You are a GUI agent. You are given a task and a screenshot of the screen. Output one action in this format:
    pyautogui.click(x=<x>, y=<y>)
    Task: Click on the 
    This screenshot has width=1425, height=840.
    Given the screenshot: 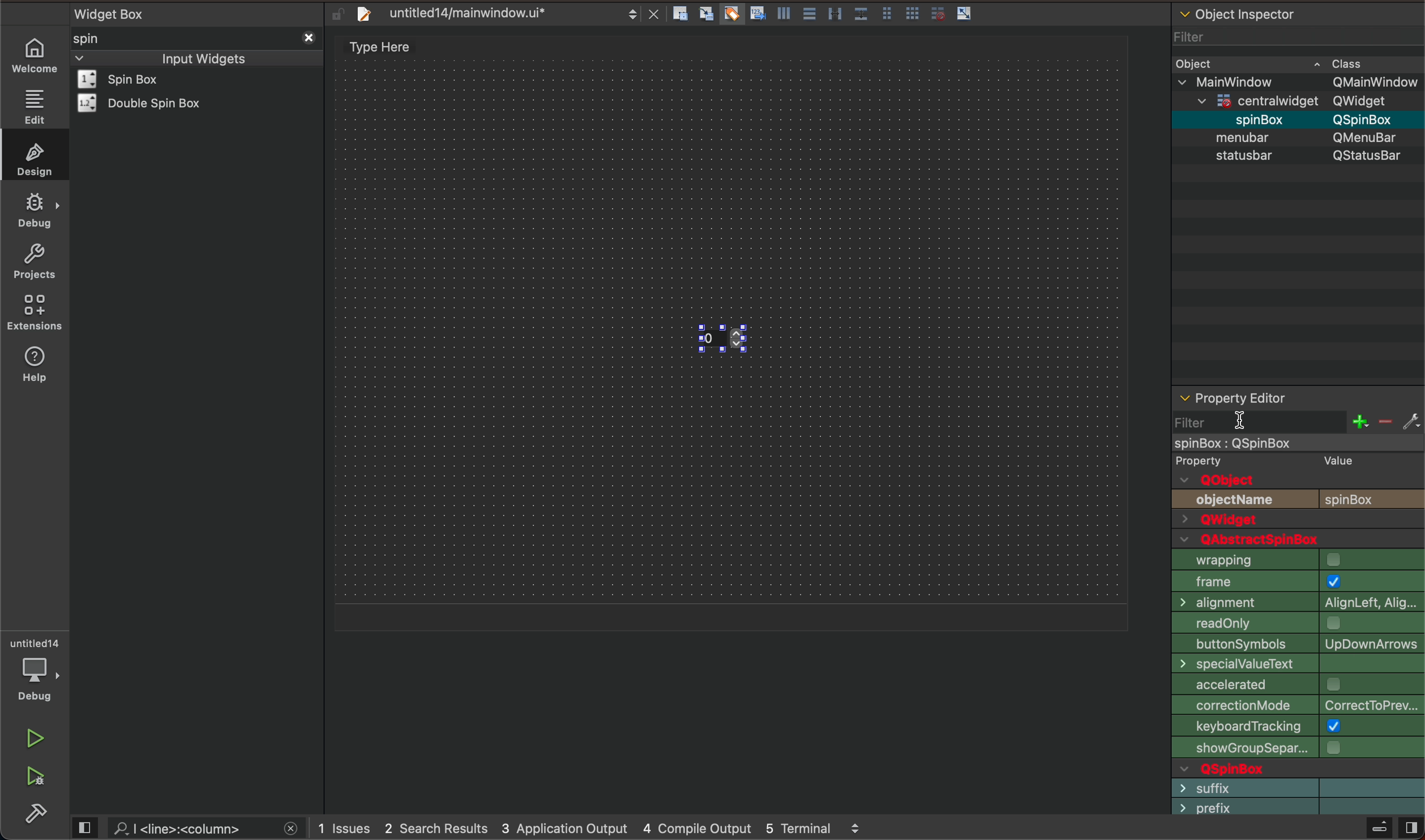 What is the action you would take?
    pyautogui.click(x=1265, y=98)
    